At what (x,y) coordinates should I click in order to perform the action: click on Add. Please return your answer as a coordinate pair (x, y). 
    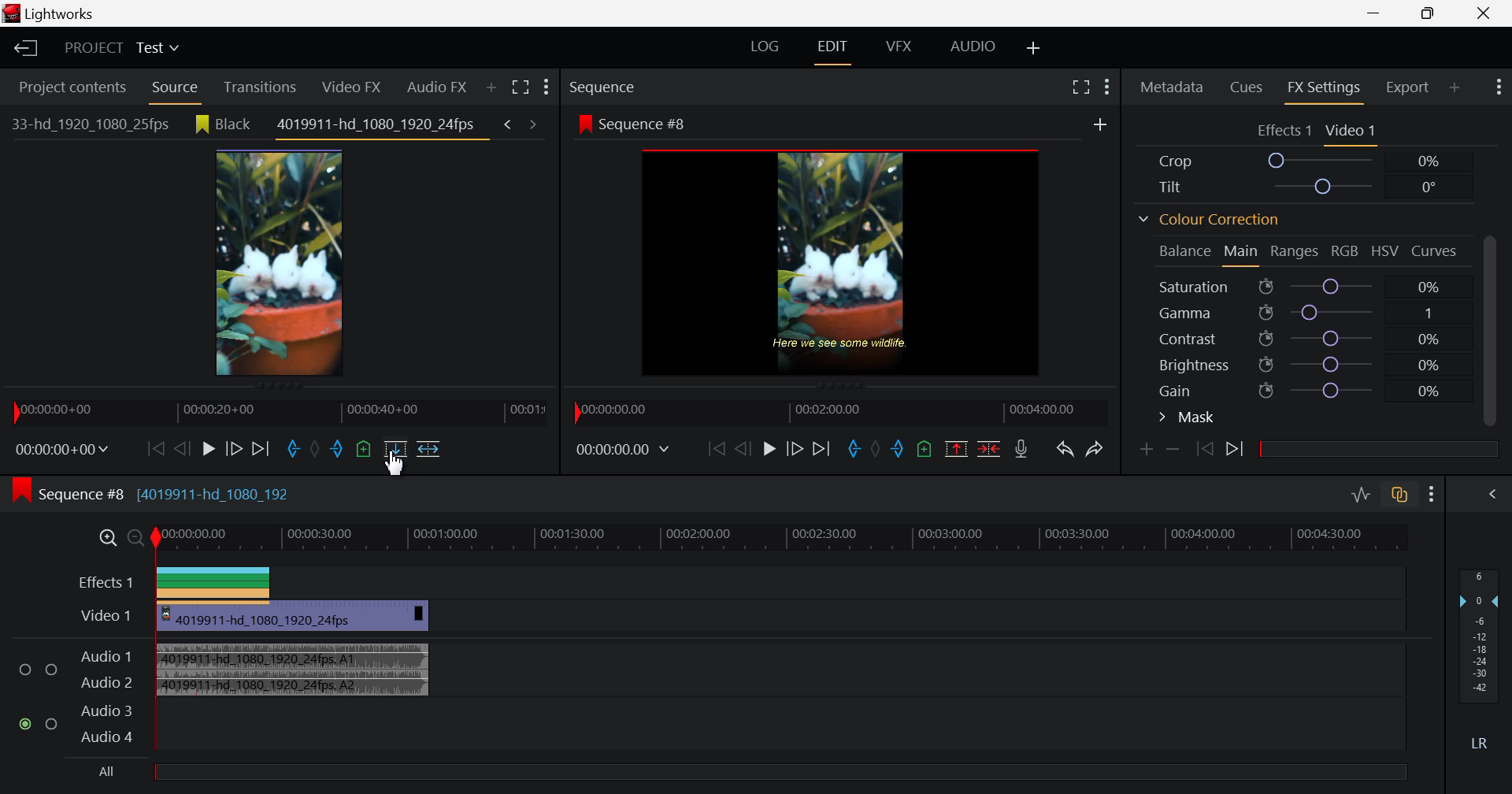
    Looking at the image, I should click on (1100, 125).